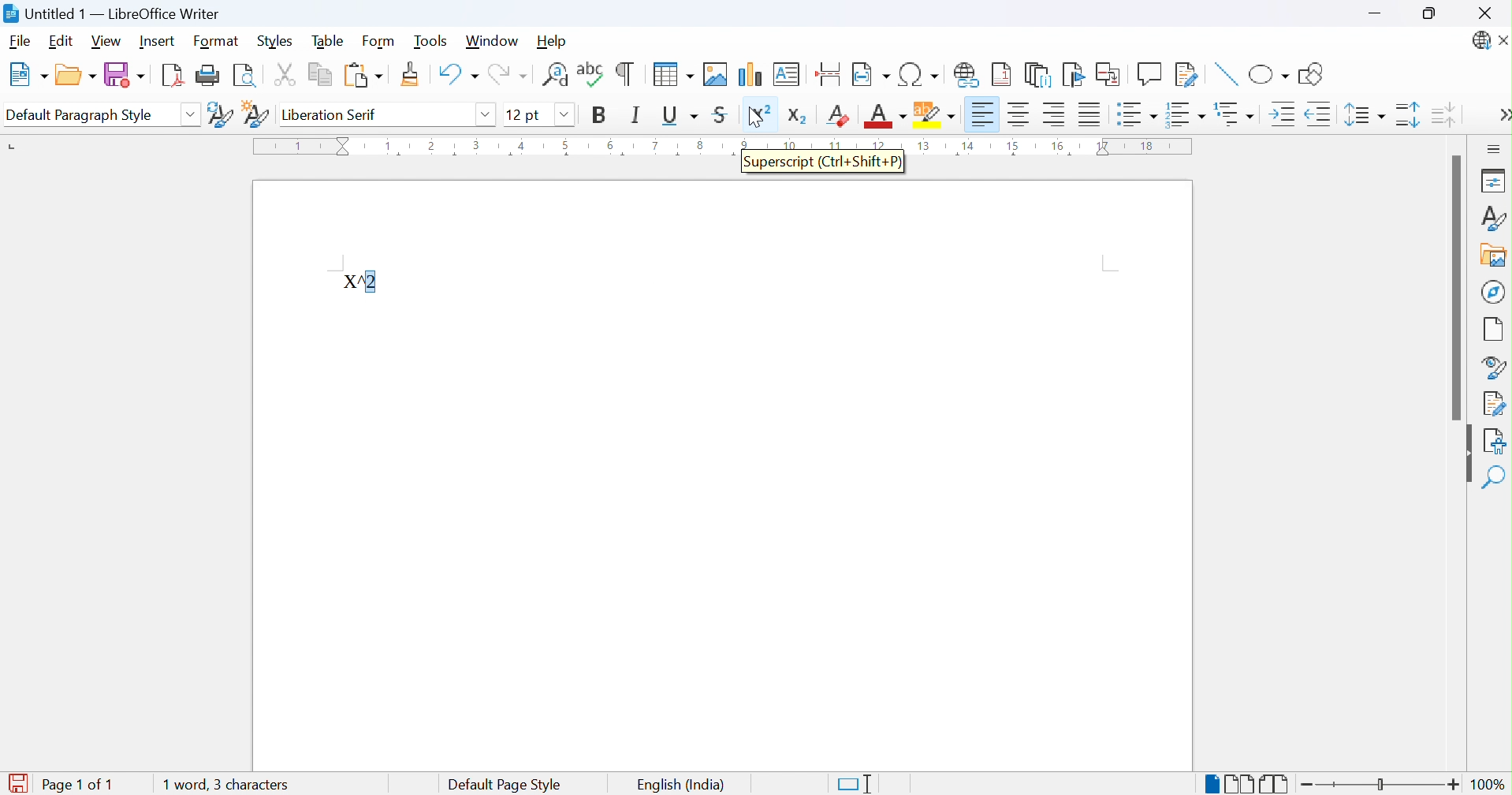  What do you see at coordinates (1468, 454) in the screenshot?
I see `Hide` at bounding box center [1468, 454].